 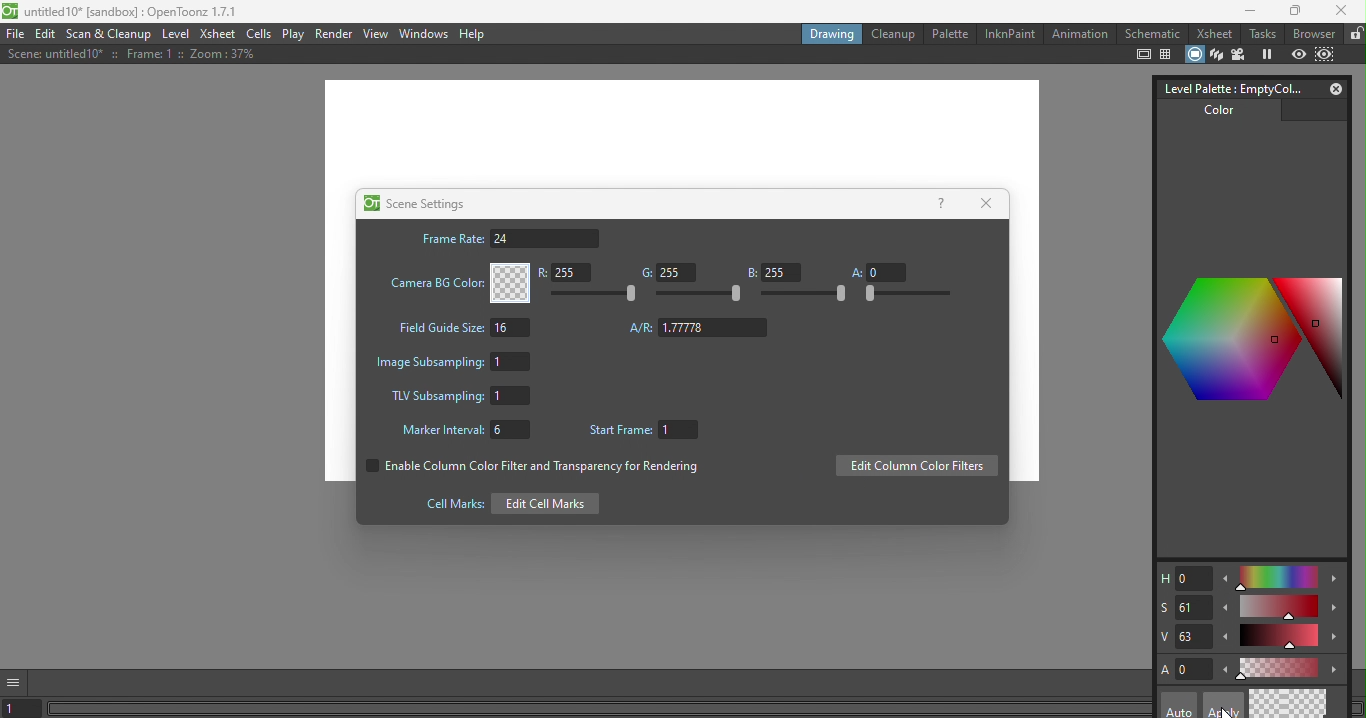 What do you see at coordinates (506, 503) in the screenshot?
I see `Edit cell marks` at bounding box center [506, 503].